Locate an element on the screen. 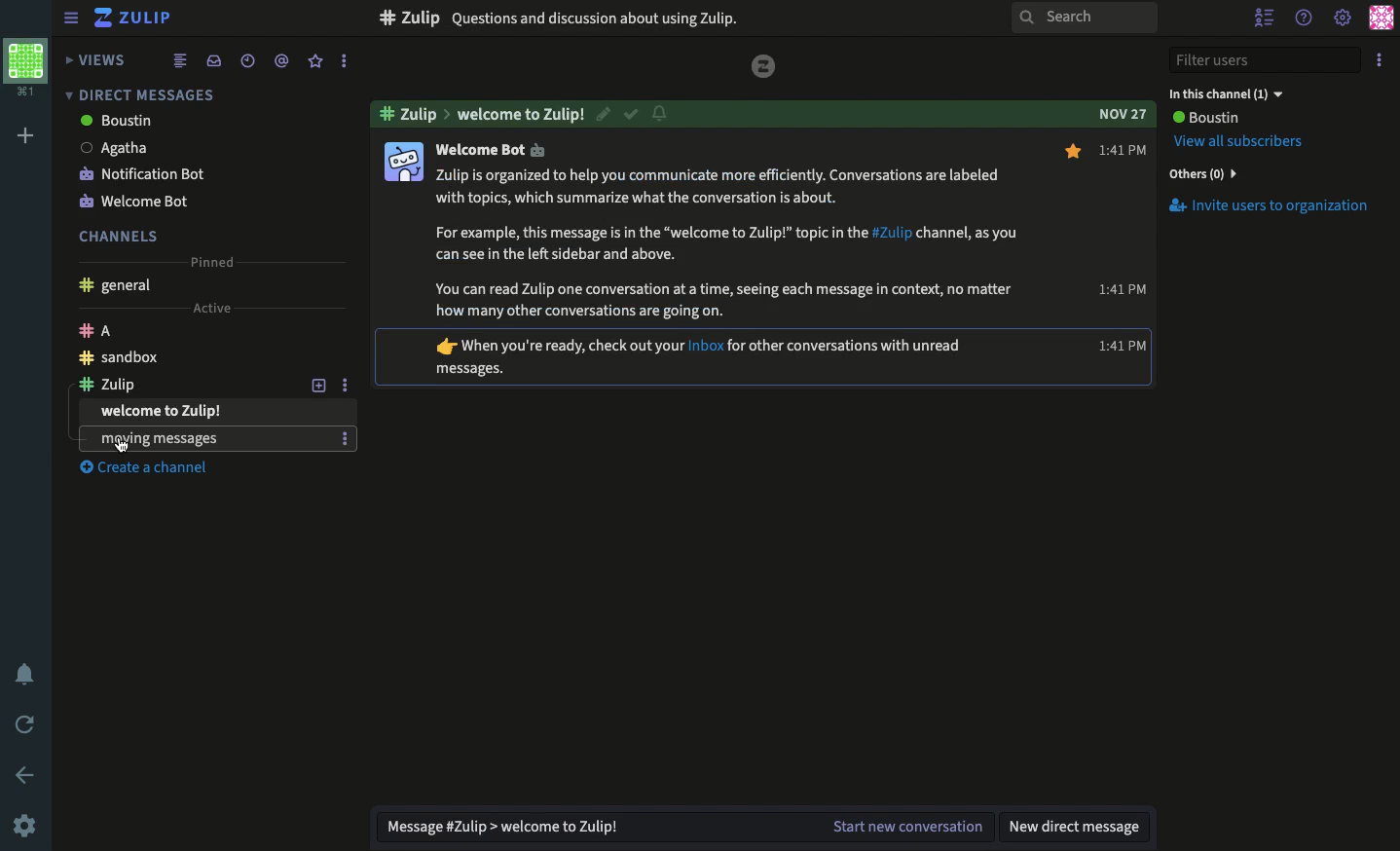 This screenshot has width=1400, height=851. Notification bot is located at coordinates (187, 172).